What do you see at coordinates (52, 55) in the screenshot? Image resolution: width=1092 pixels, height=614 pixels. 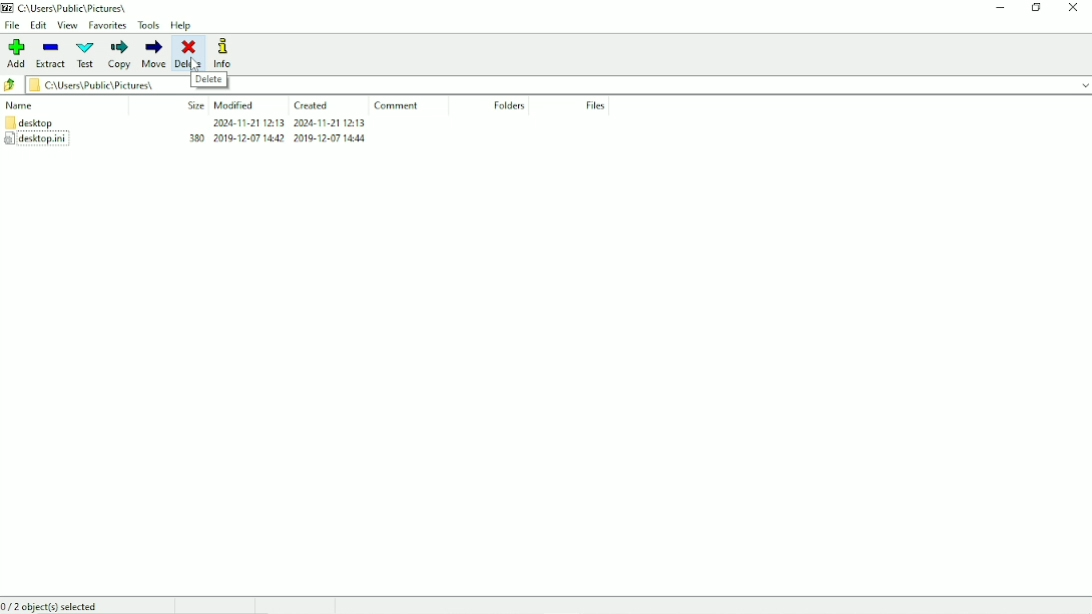 I see `Extract` at bounding box center [52, 55].